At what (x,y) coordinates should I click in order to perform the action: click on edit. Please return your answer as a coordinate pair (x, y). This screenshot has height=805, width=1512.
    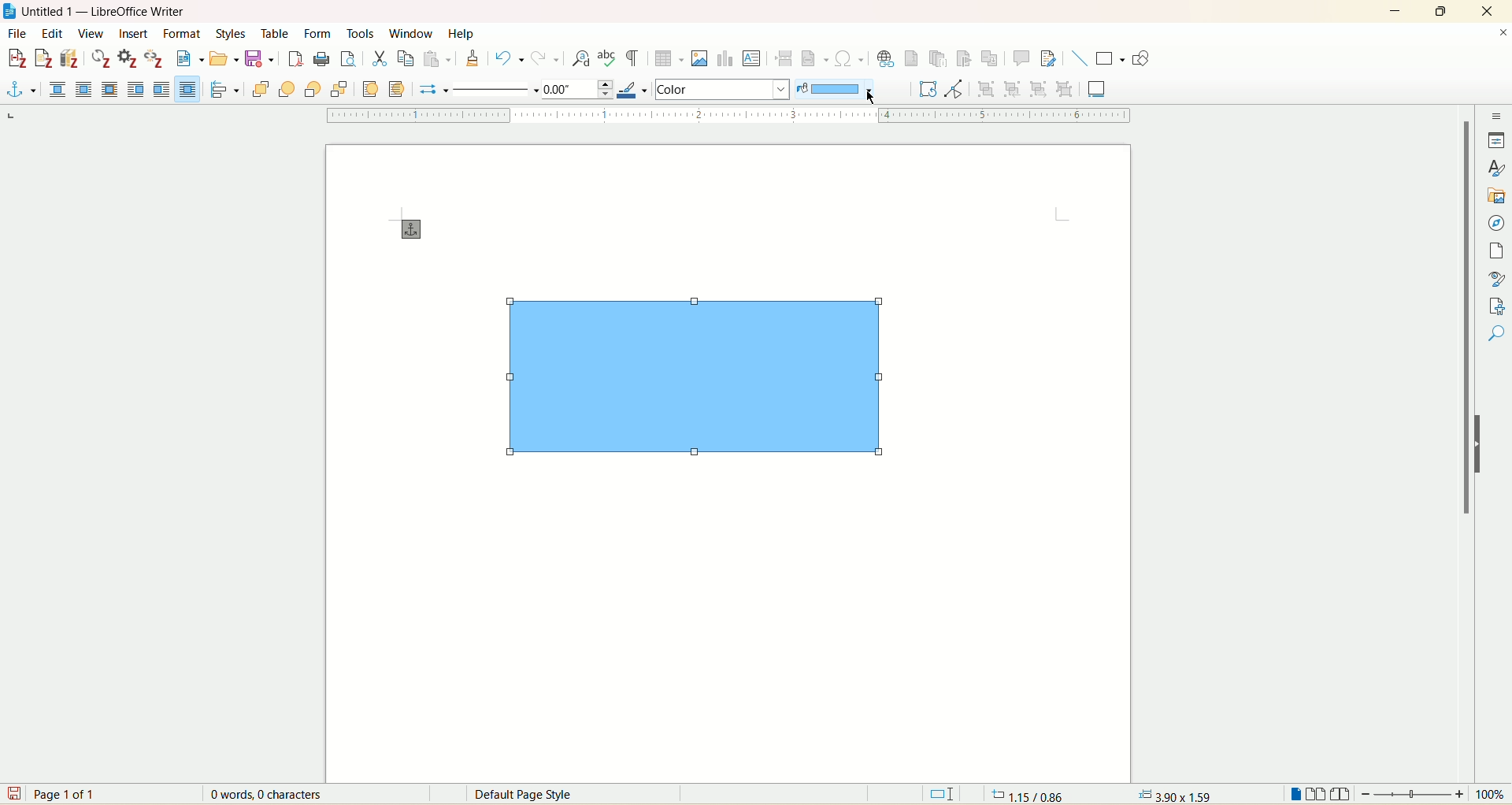
    Looking at the image, I should click on (50, 33).